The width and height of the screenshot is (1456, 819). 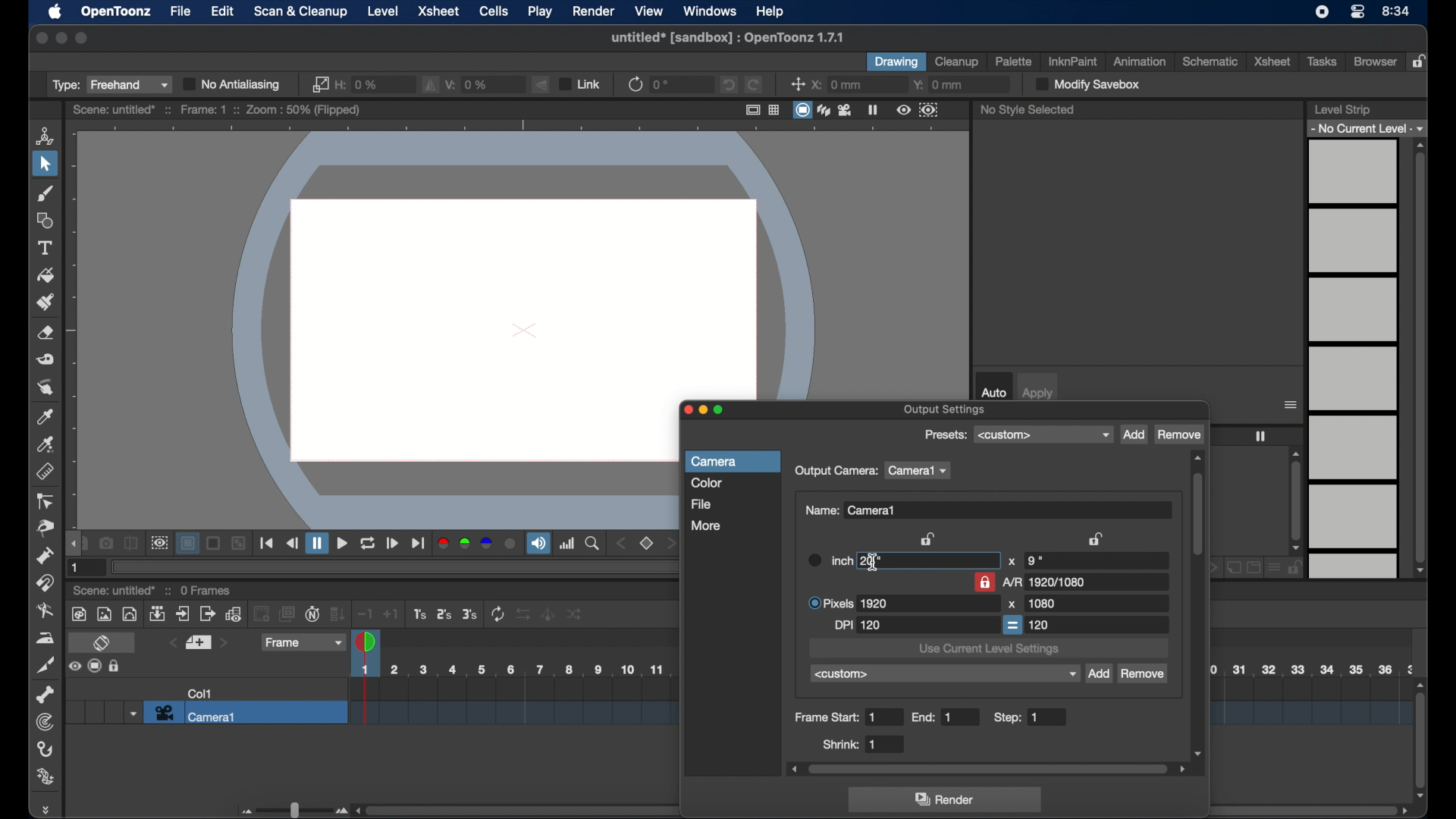 What do you see at coordinates (184, 615) in the screenshot?
I see `` at bounding box center [184, 615].